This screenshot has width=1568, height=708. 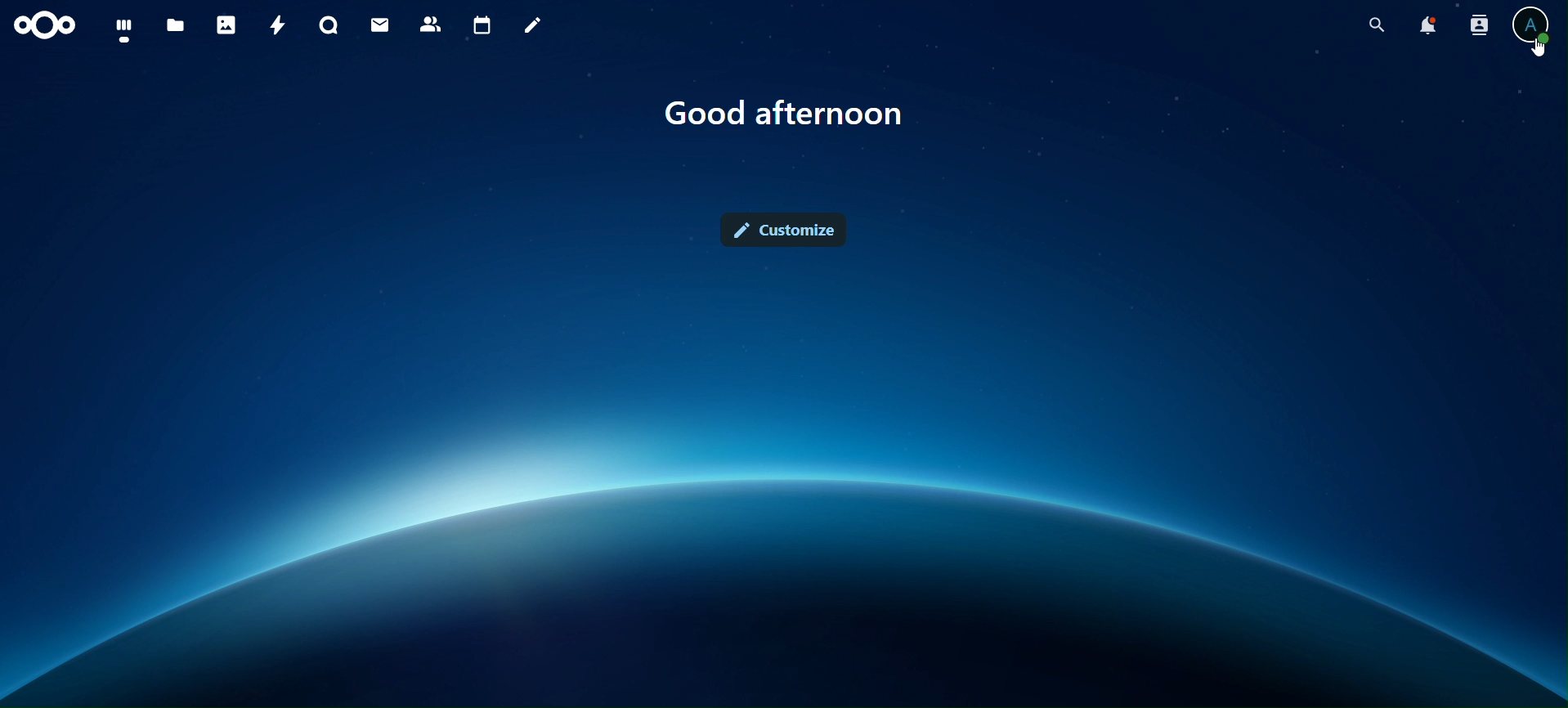 I want to click on files, so click(x=177, y=23).